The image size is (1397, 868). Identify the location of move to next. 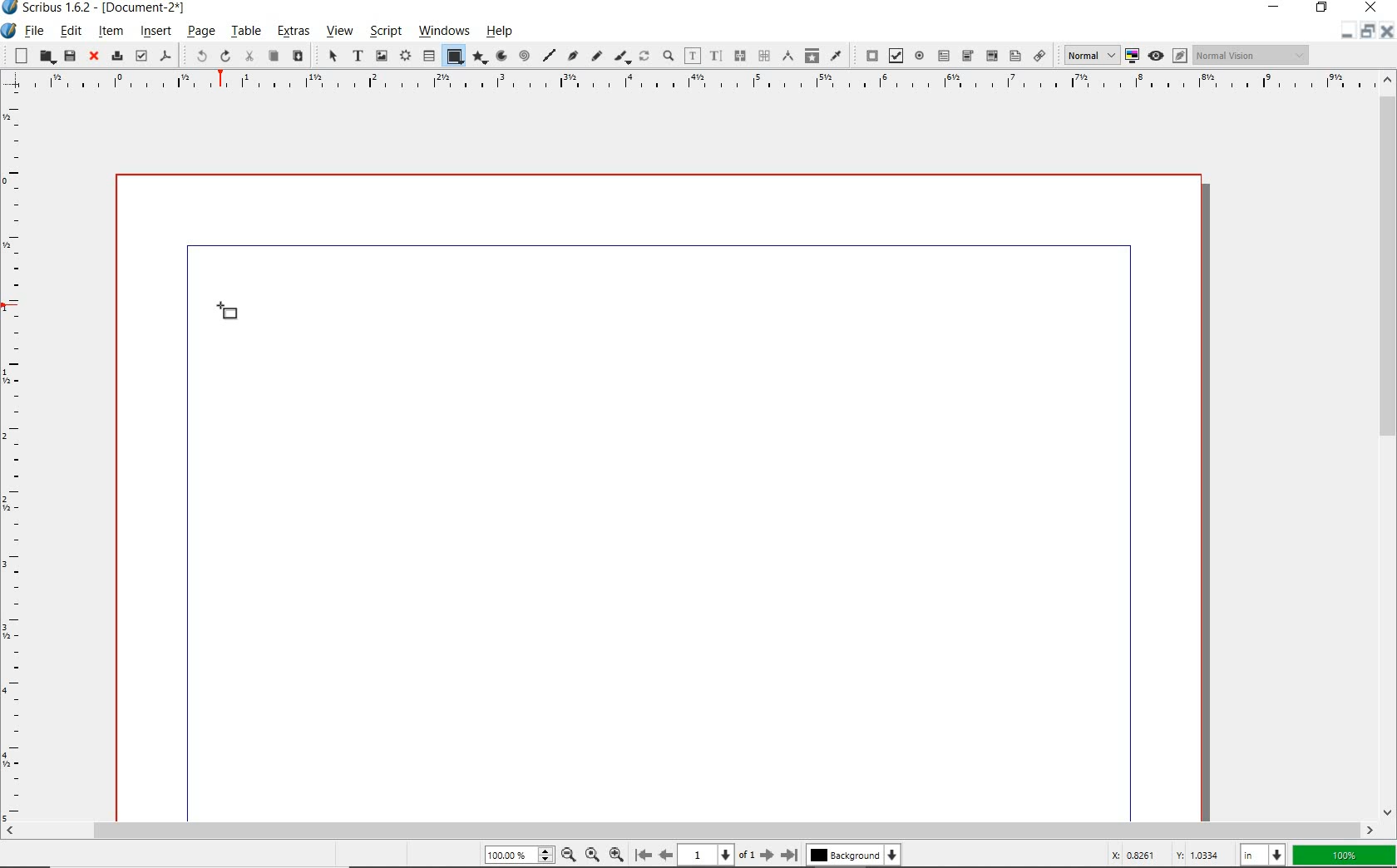
(768, 855).